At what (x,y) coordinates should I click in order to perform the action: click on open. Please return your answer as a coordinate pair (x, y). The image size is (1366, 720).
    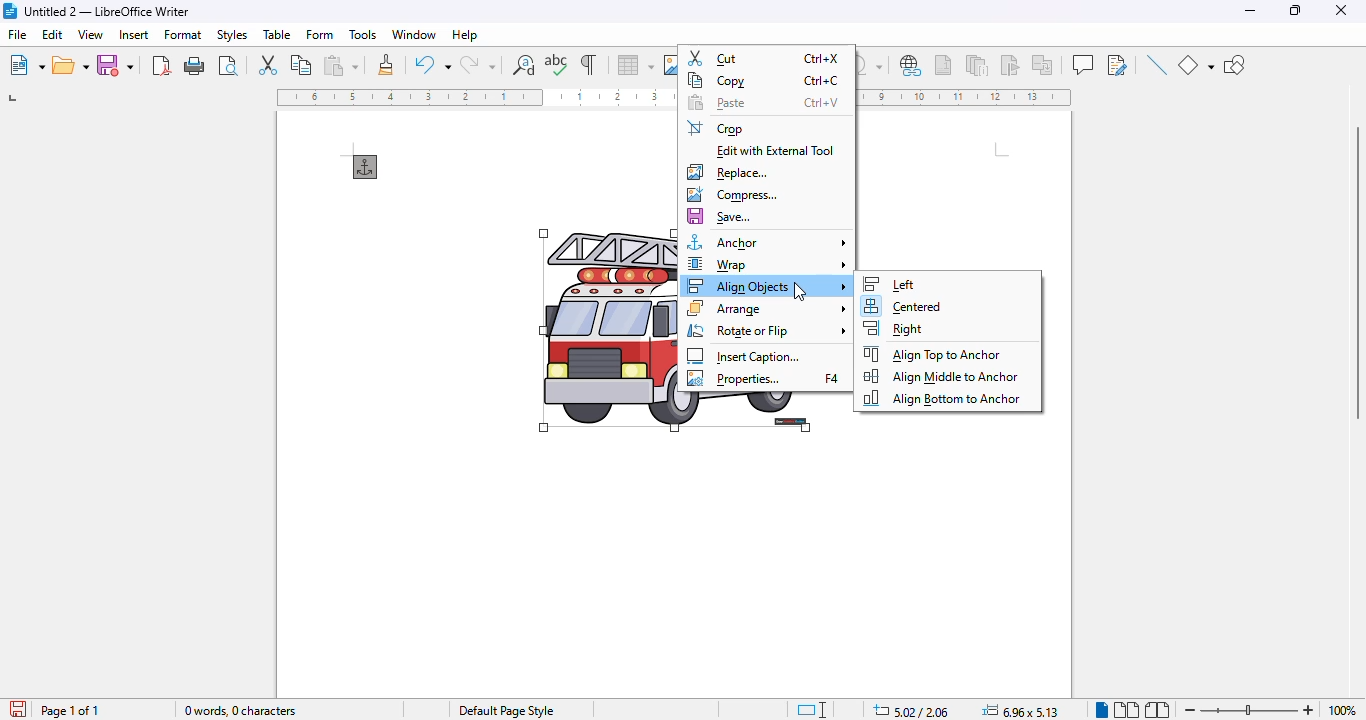
    Looking at the image, I should click on (71, 65).